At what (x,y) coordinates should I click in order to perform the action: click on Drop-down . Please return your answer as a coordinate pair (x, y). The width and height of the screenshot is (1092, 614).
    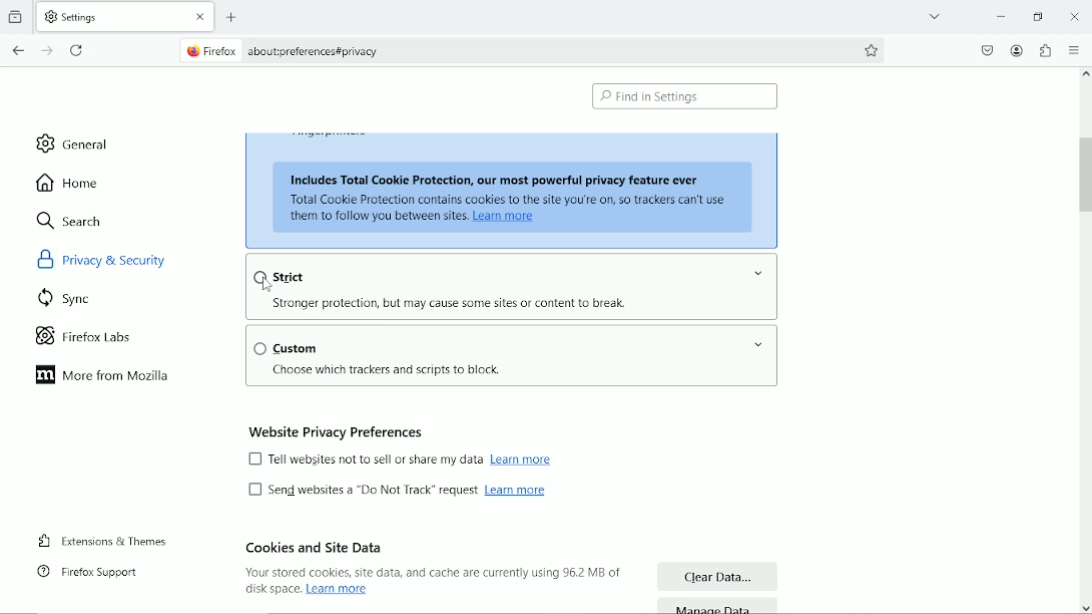
    Looking at the image, I should click on (760, 273).